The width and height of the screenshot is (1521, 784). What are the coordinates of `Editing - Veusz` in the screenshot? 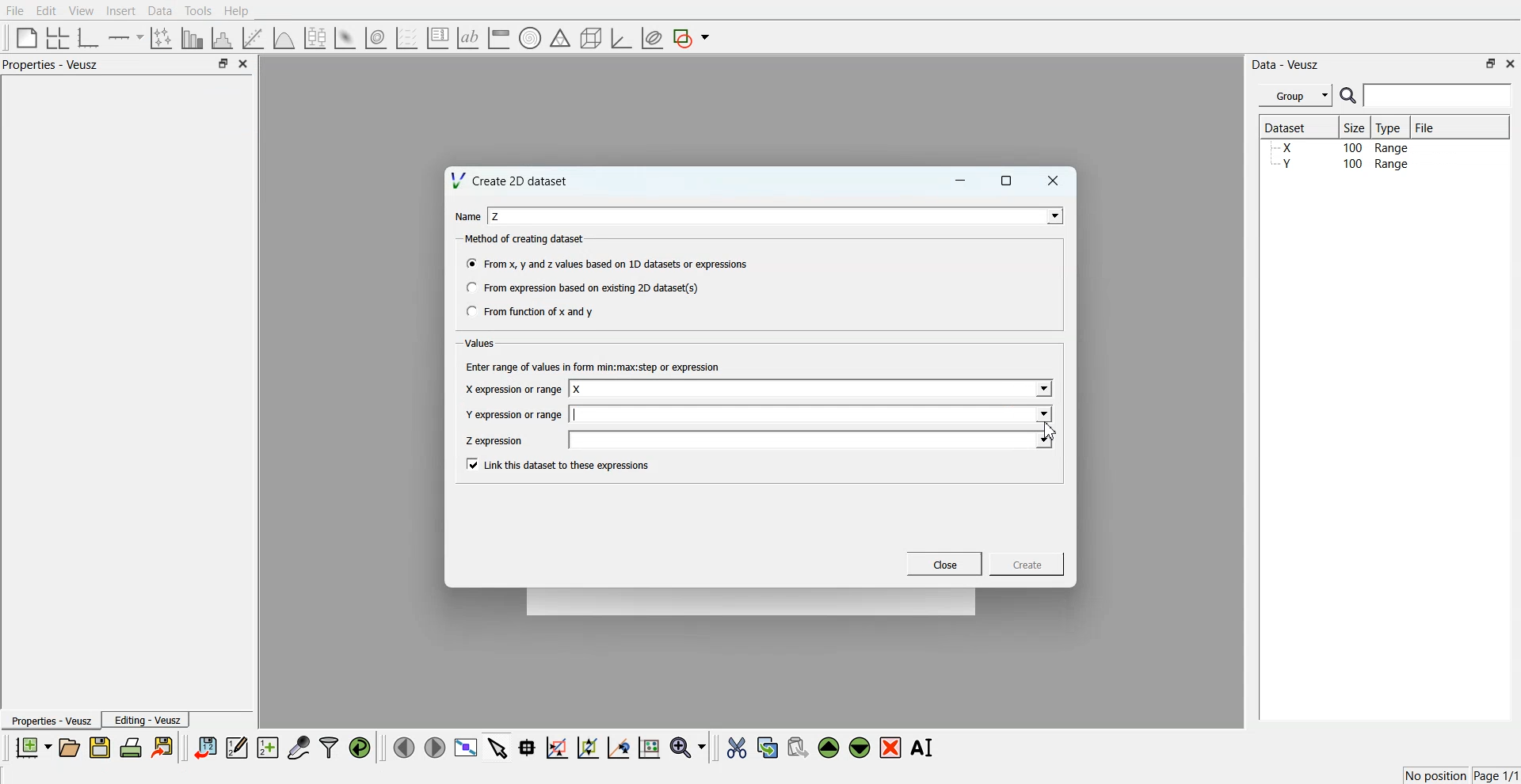 It's located at (146, 719).